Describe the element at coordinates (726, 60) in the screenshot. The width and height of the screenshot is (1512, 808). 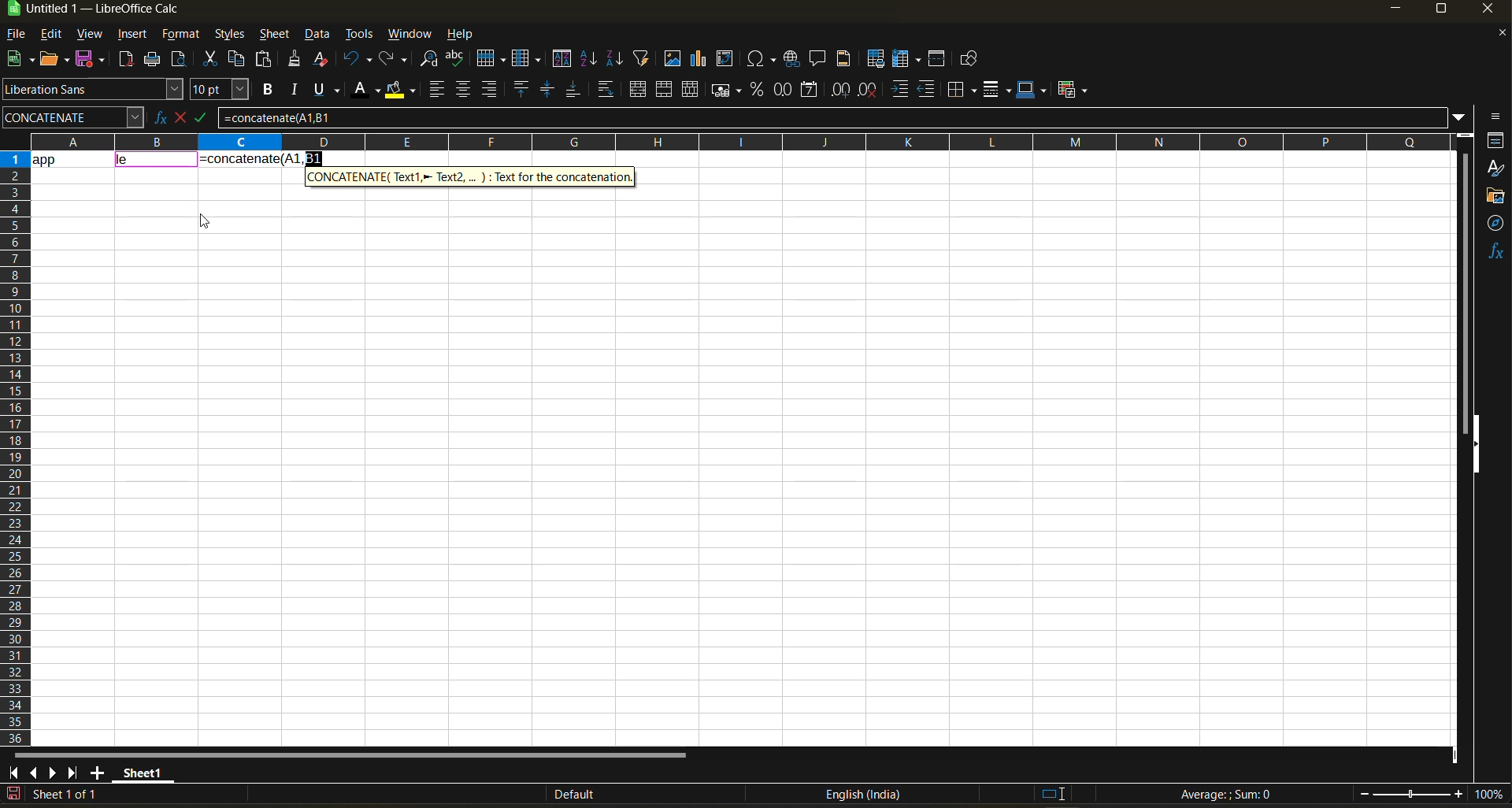
I see `insert or edit pivot table` at that location.